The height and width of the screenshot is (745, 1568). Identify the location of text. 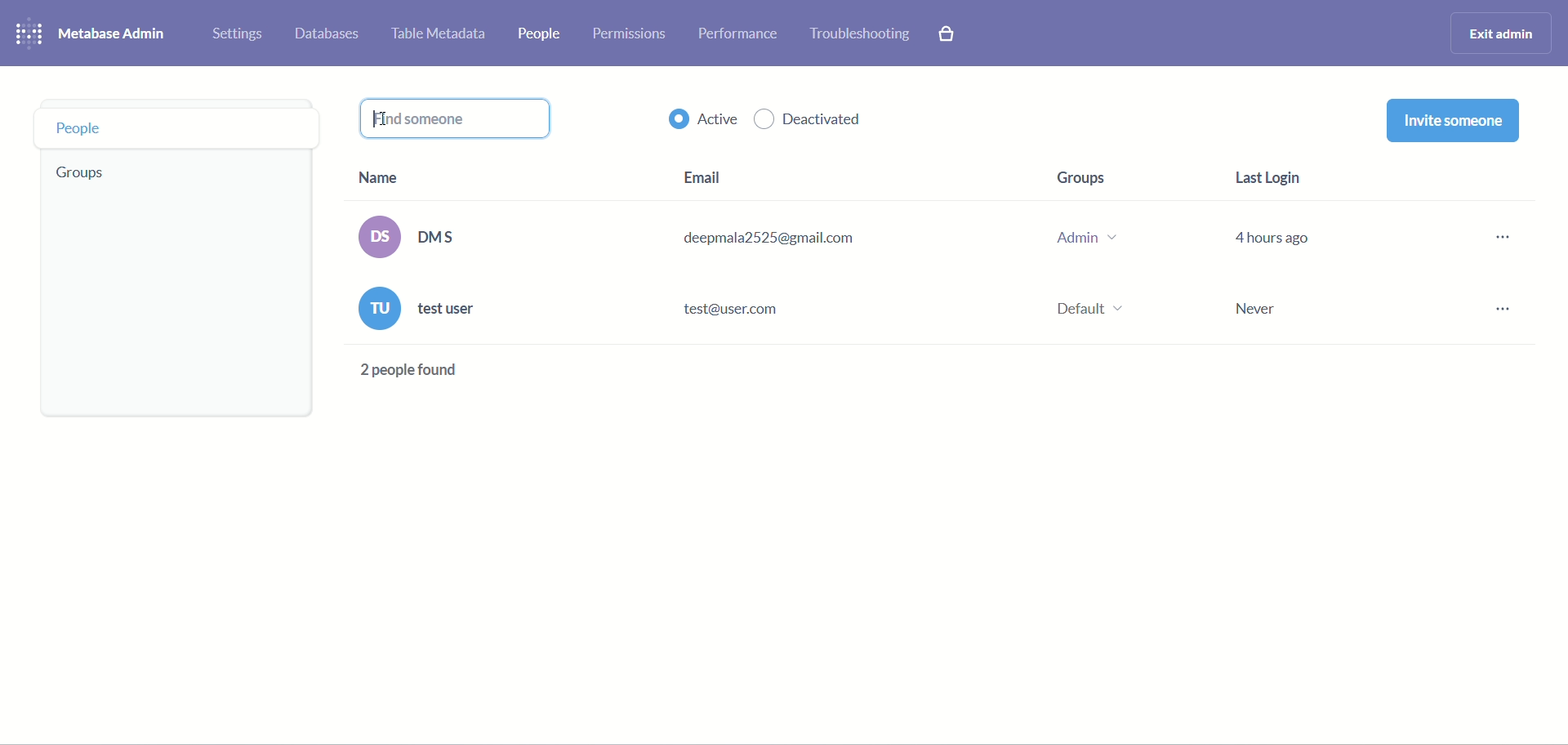
(413, 372).